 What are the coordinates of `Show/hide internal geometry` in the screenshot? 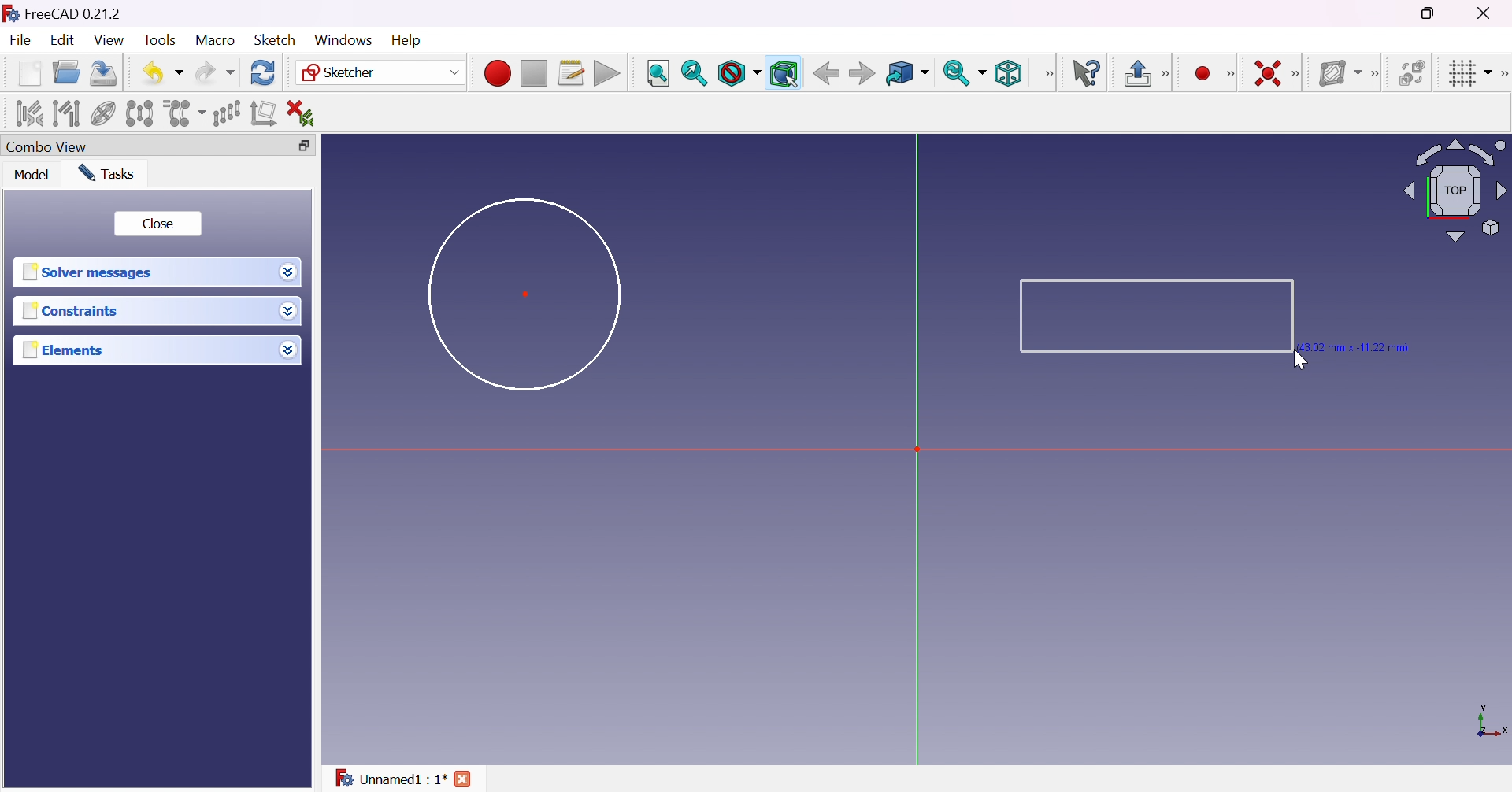 It's located at (105, 115).